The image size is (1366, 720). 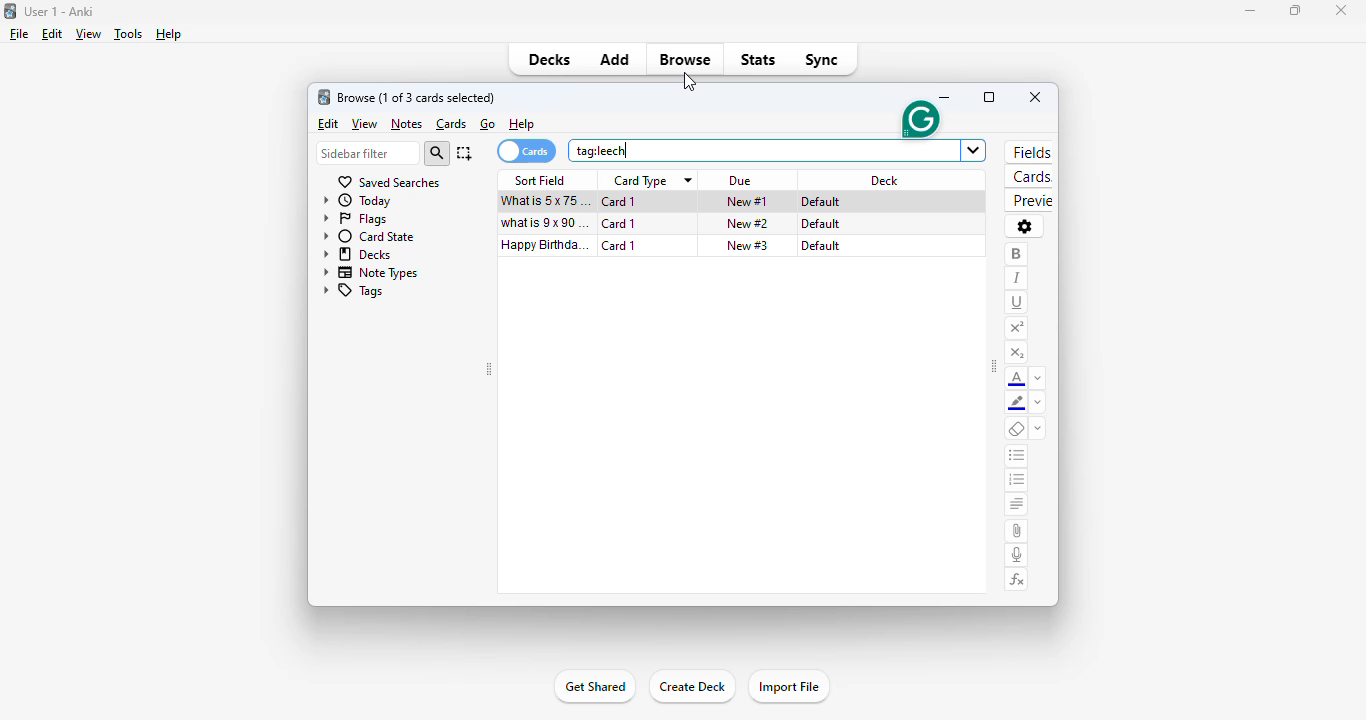 I want to click on browse, so click(x=685, y=59).